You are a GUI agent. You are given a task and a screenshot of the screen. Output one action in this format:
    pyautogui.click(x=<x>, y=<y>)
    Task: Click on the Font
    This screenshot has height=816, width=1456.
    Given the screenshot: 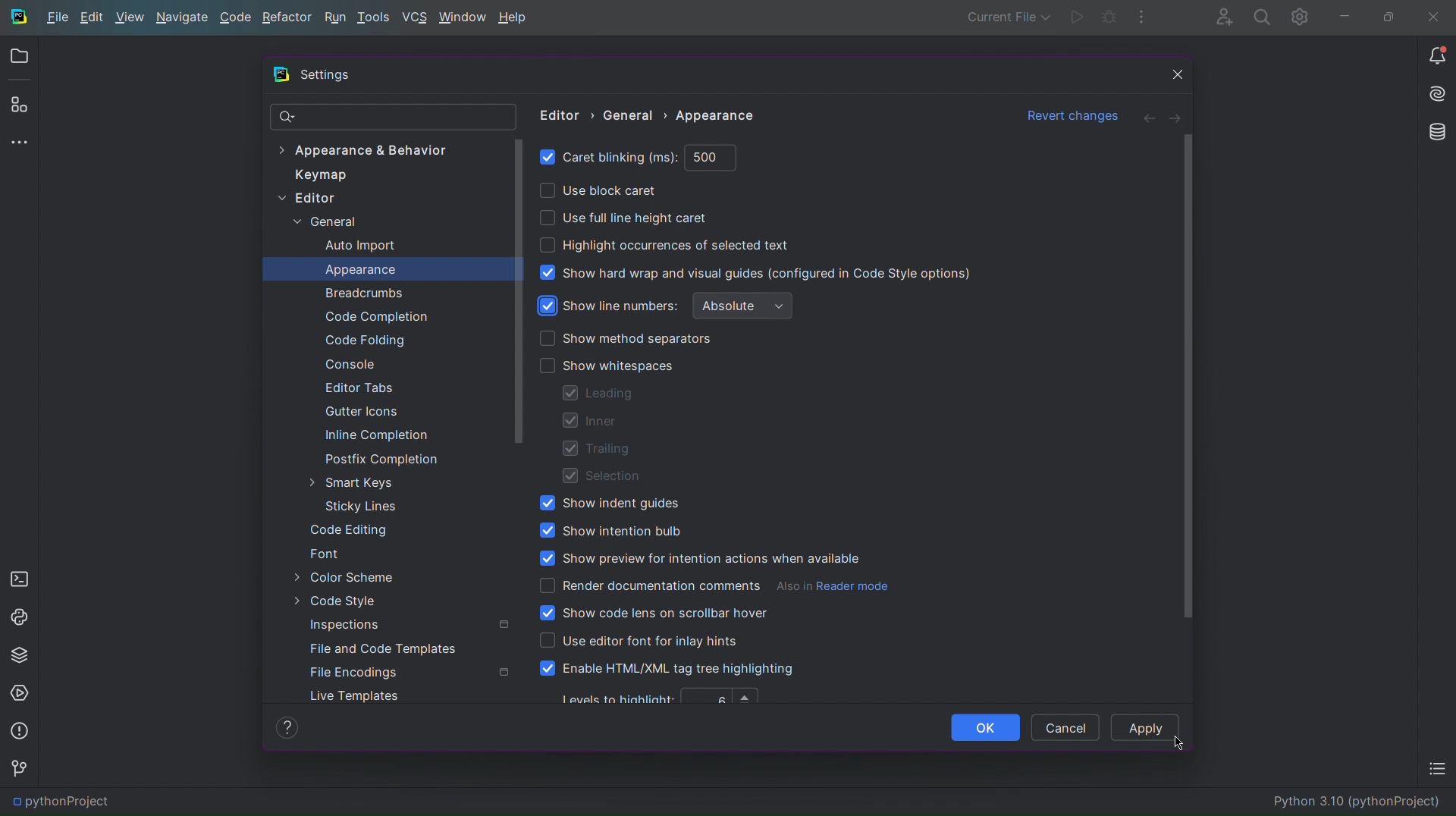 What is the action you would take?
    pyautogui.click(x=330, y=554)
    